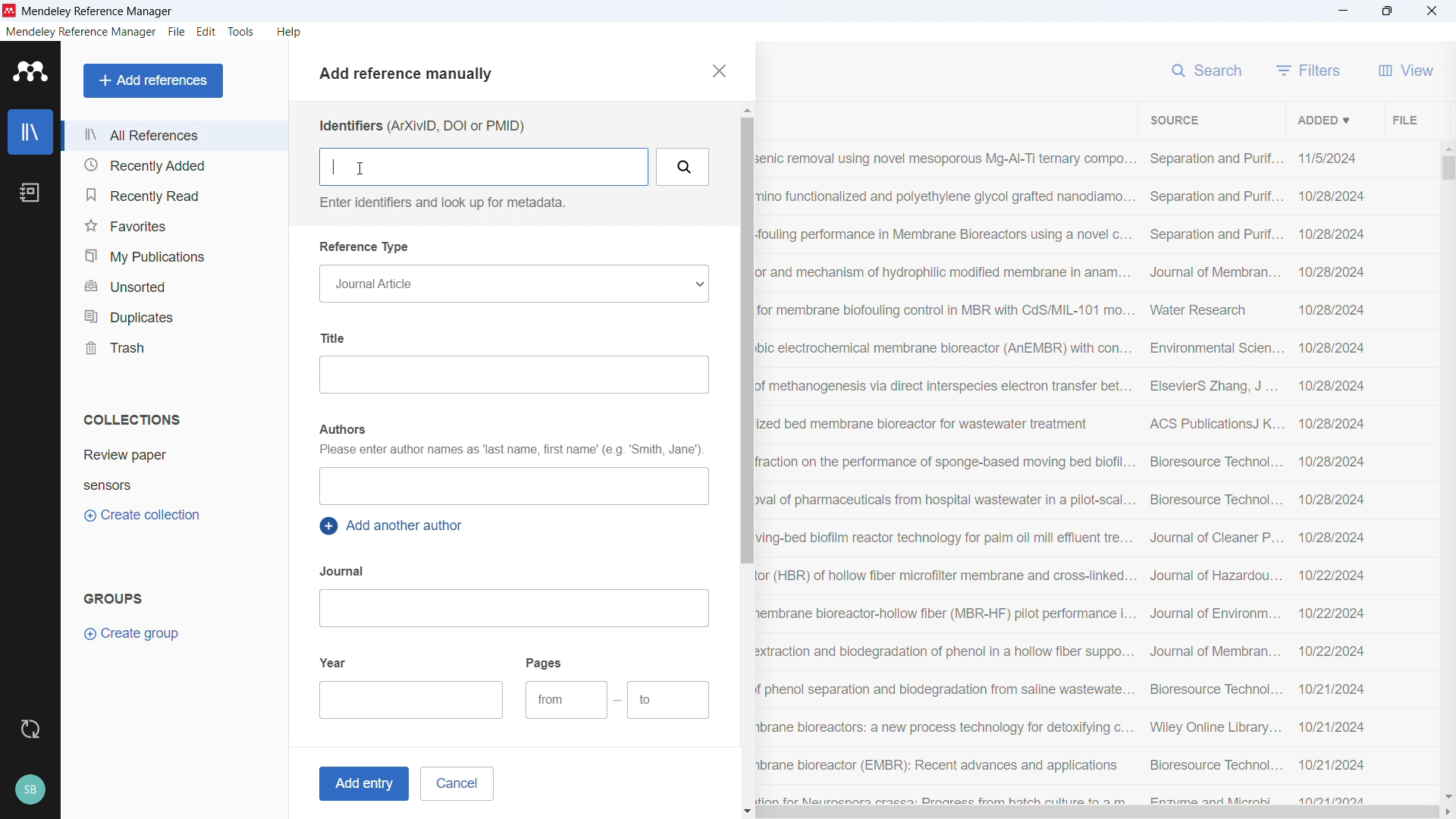 This screenshot has height=819, width=1456. What do you see at coordinates (1322, 119) in the screenshot?
I see `Sort by date added ` at bounding box center [1322, 119].